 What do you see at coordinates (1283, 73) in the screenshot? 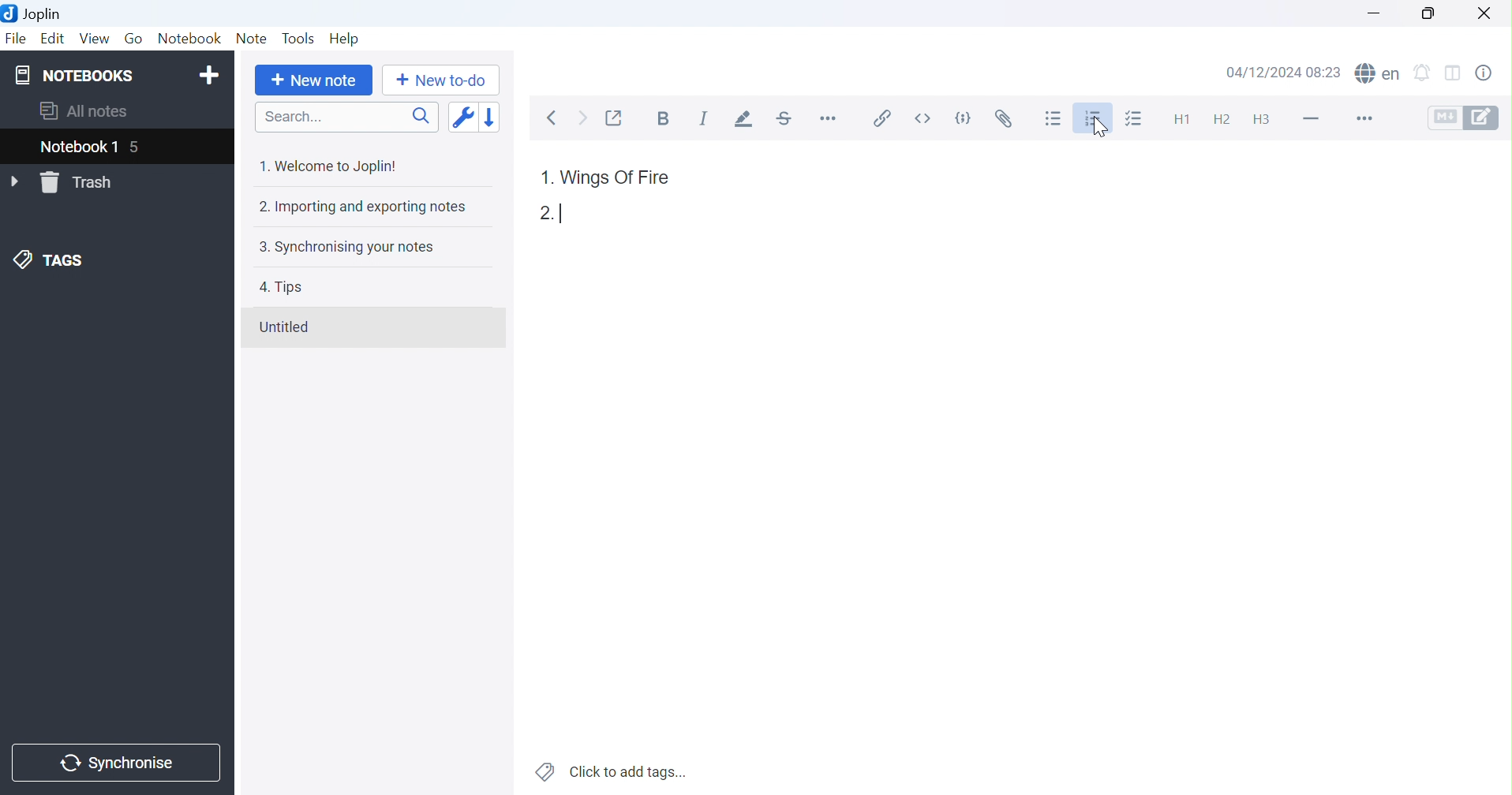
I see `04/12/2024 08:22` at bounding box center [1283, 73].